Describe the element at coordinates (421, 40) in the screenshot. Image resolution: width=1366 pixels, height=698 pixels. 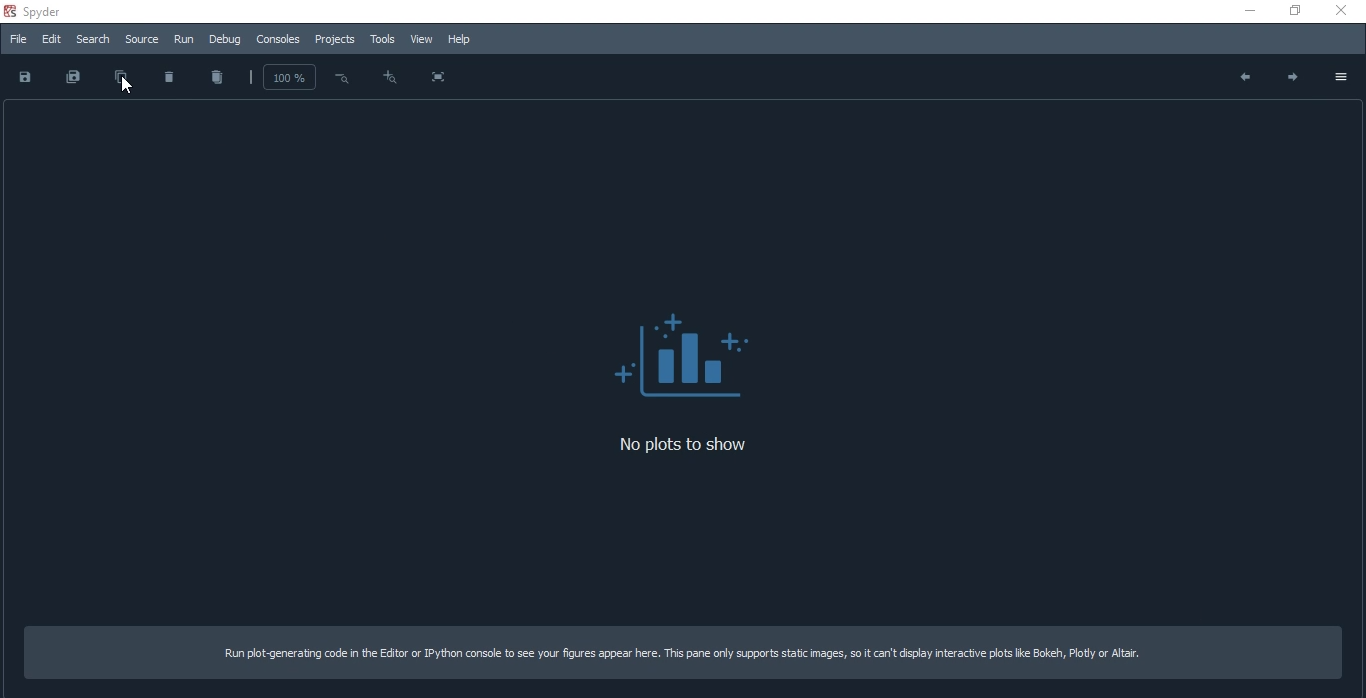
I see `View` at that location.